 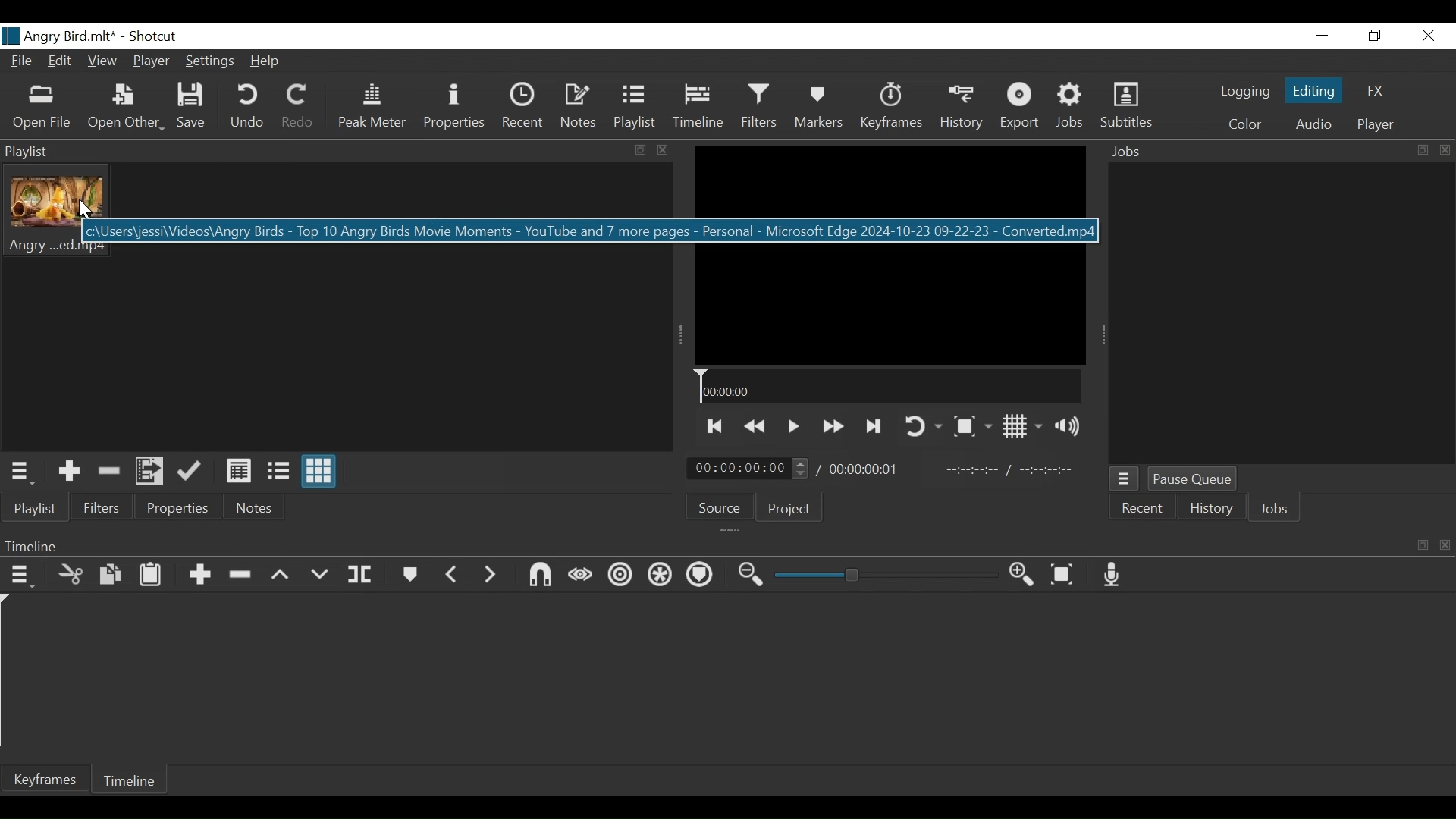 I want to click on Jobs, so click(x=1276, y=510).